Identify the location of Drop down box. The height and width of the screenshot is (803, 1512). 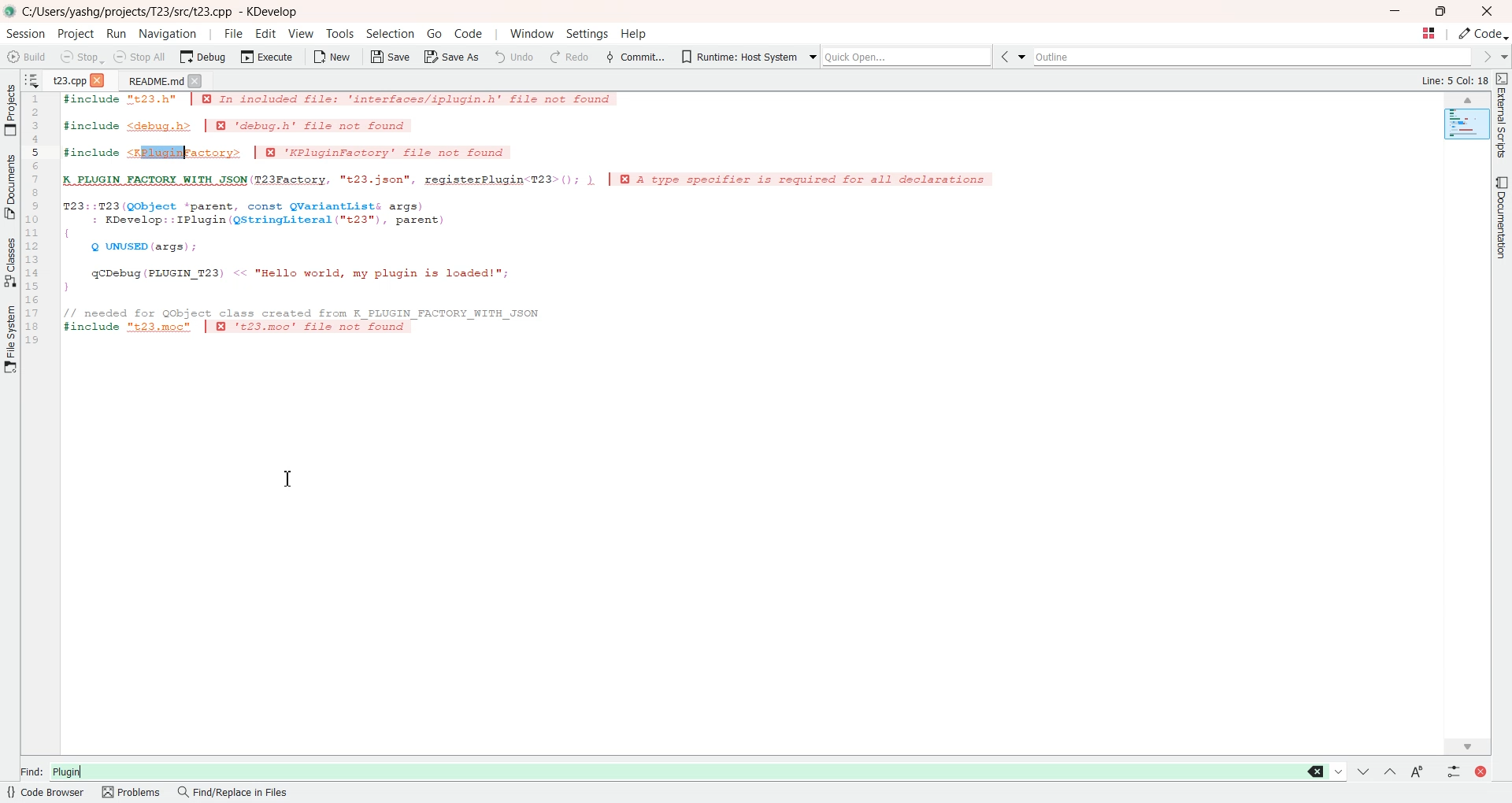
(810, 55).